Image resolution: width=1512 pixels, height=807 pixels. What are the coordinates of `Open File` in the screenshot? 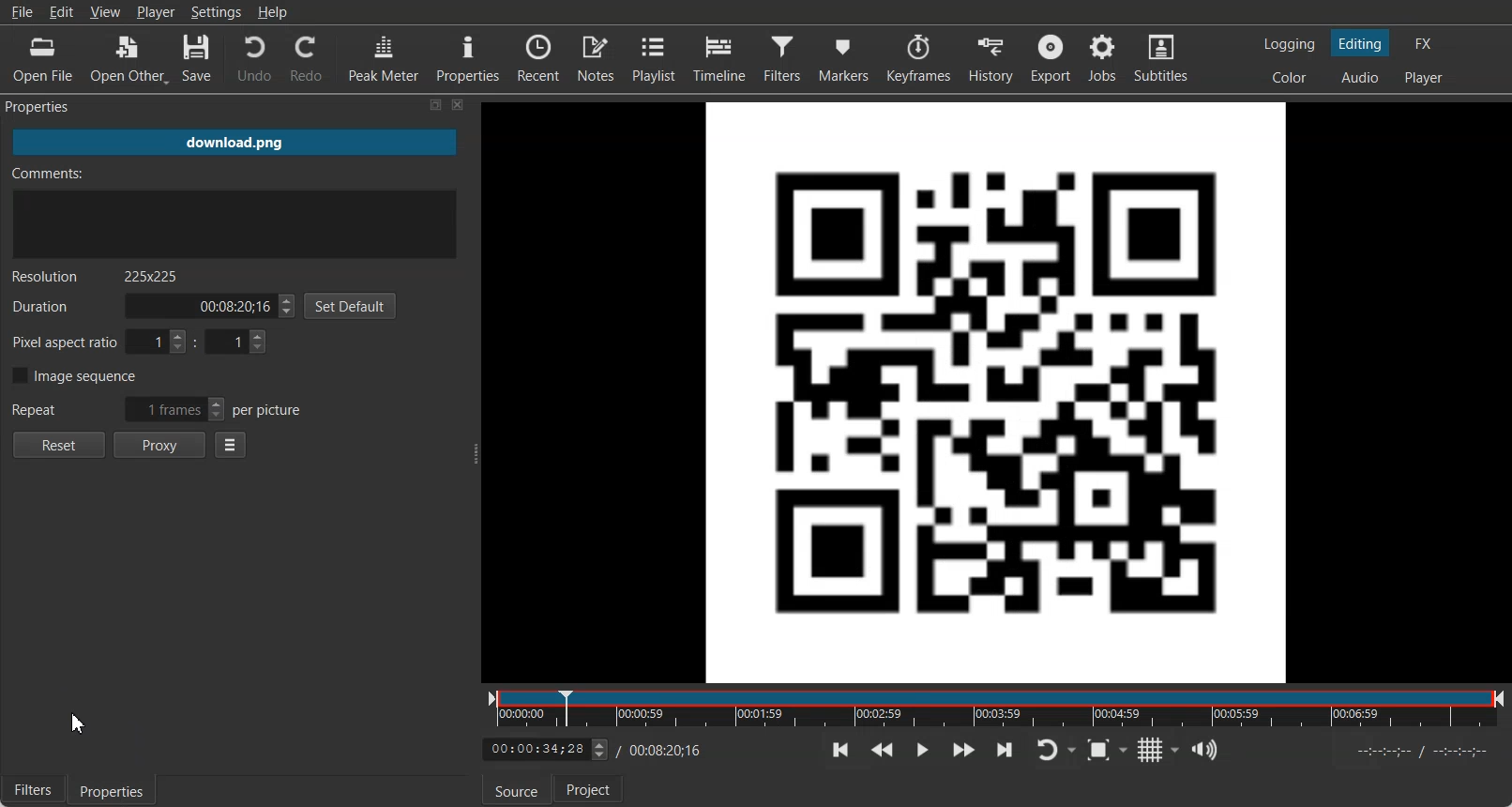 It's located at (42, 57).